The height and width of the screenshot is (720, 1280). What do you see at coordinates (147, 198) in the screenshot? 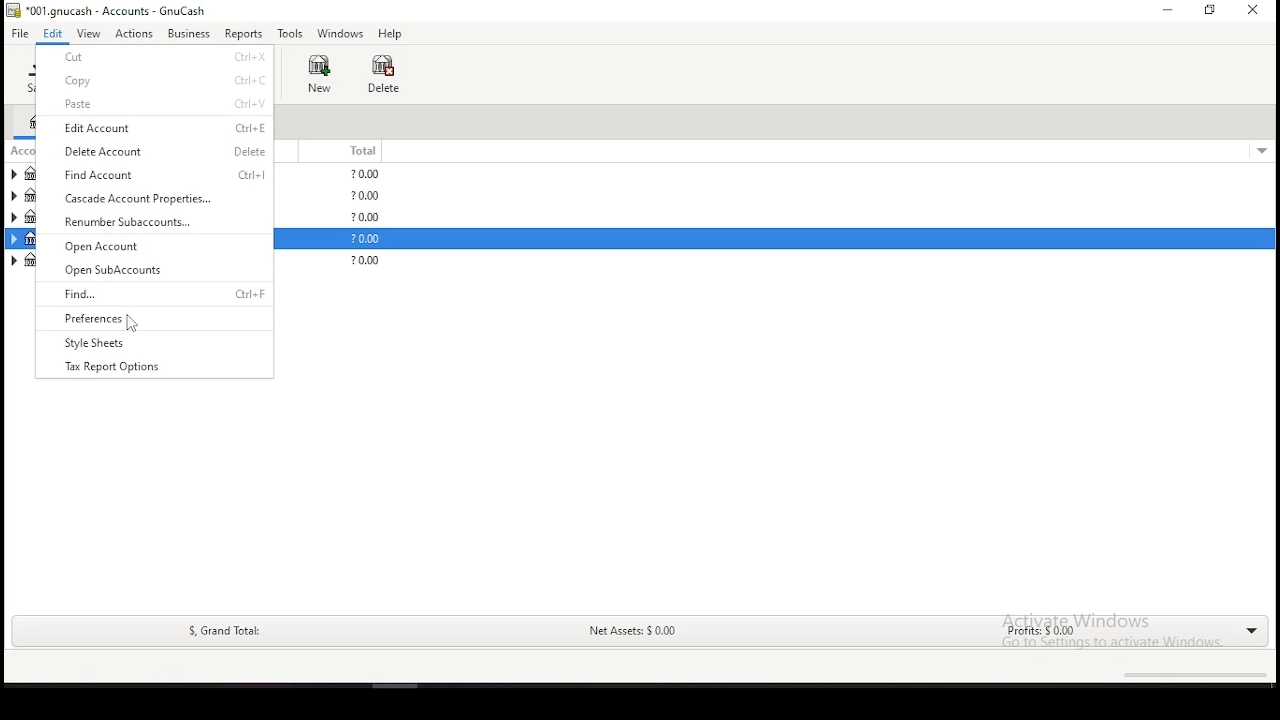
I see `cascade account properties` at bounding box center [147, 198].